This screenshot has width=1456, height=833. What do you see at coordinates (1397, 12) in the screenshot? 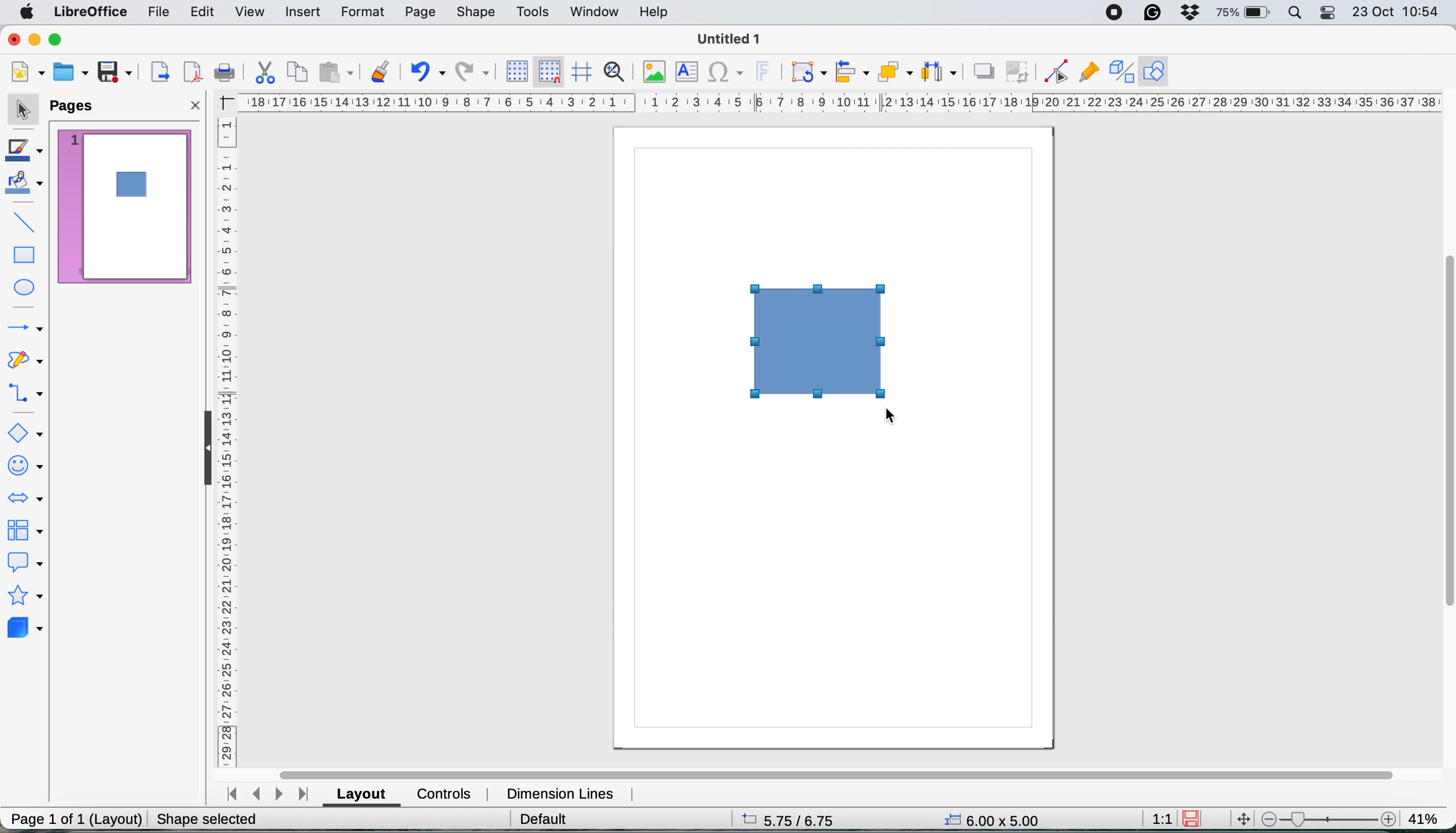
I see `23 oct 10:54` at bounding box center [1397, 12].